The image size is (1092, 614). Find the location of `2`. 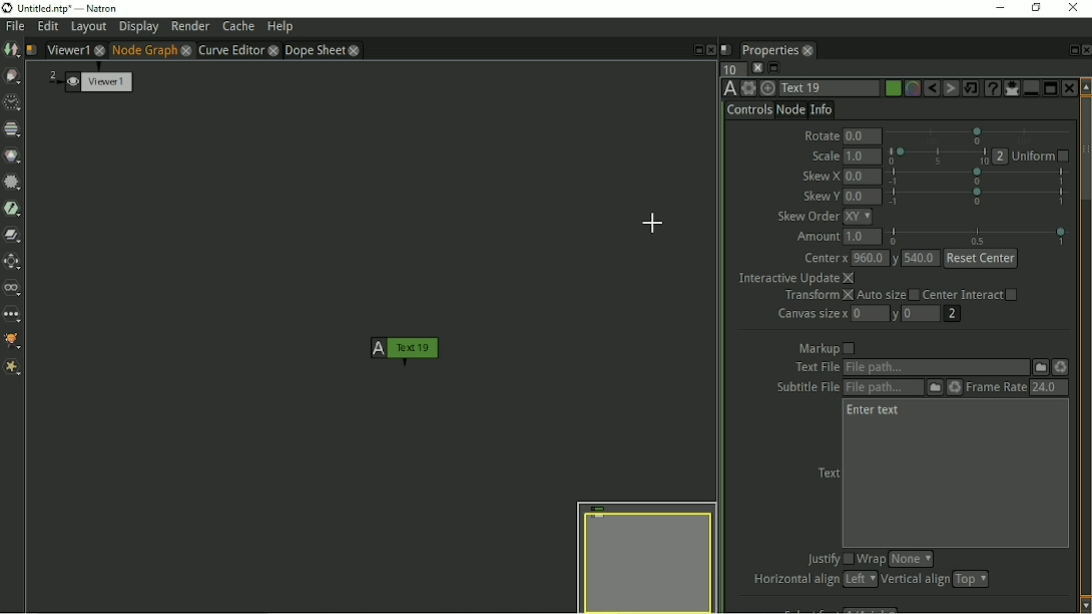

2 is located at coordinates (52, 75).